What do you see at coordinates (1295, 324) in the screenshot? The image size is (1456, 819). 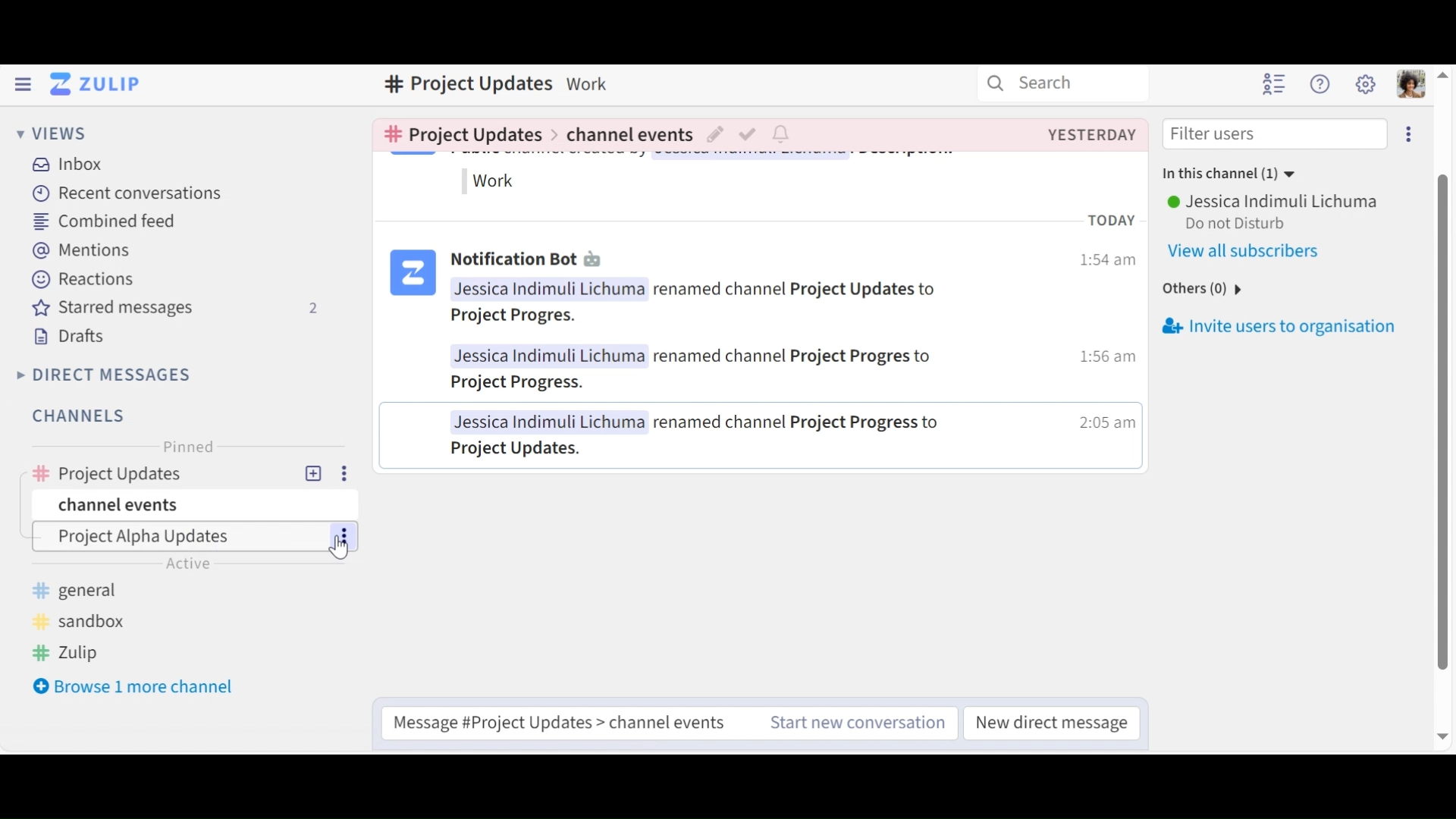 I see `Invite users to oraginsation` at bounding box center [1295, 324].